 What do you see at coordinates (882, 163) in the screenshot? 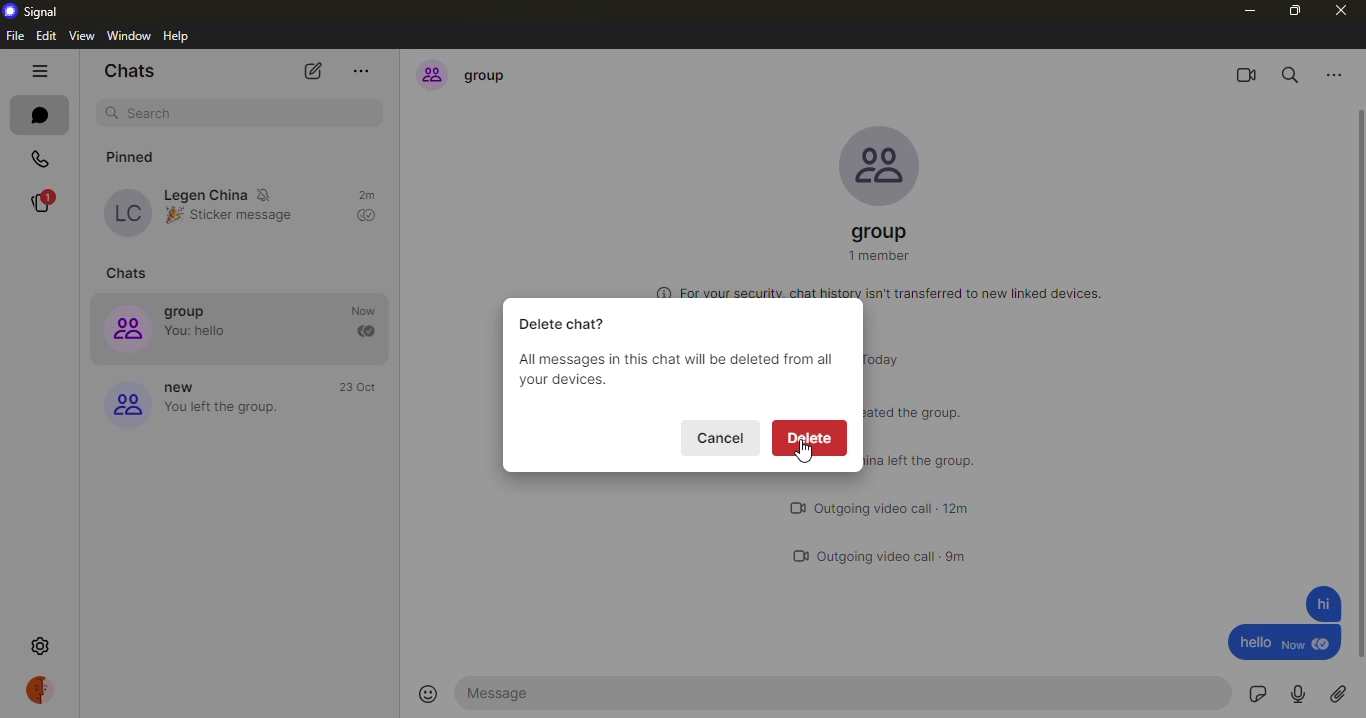
I see `profile pic` at bounding box center [882, 163].